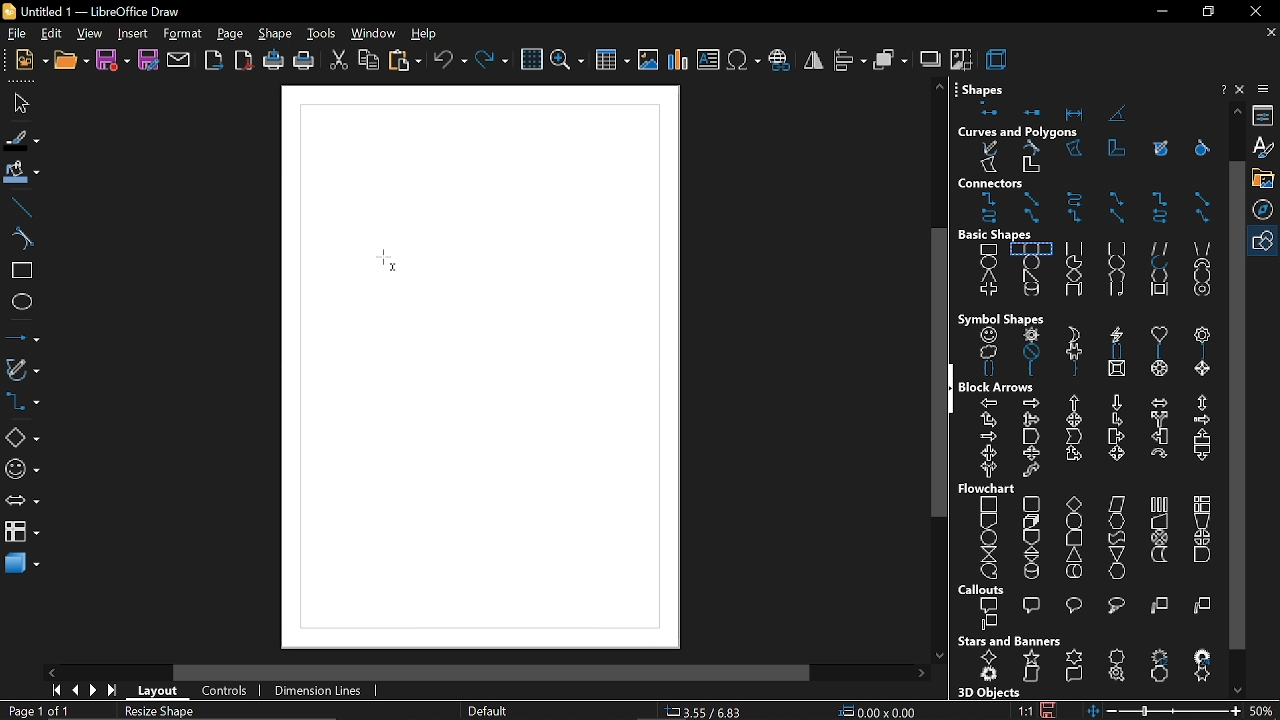 Image resolution: width=1280 pixels, height=720 pixels. What do you see at coordinates (272, 61) in the screenshot?
I see `print directly` at bounding box center [272, 61].